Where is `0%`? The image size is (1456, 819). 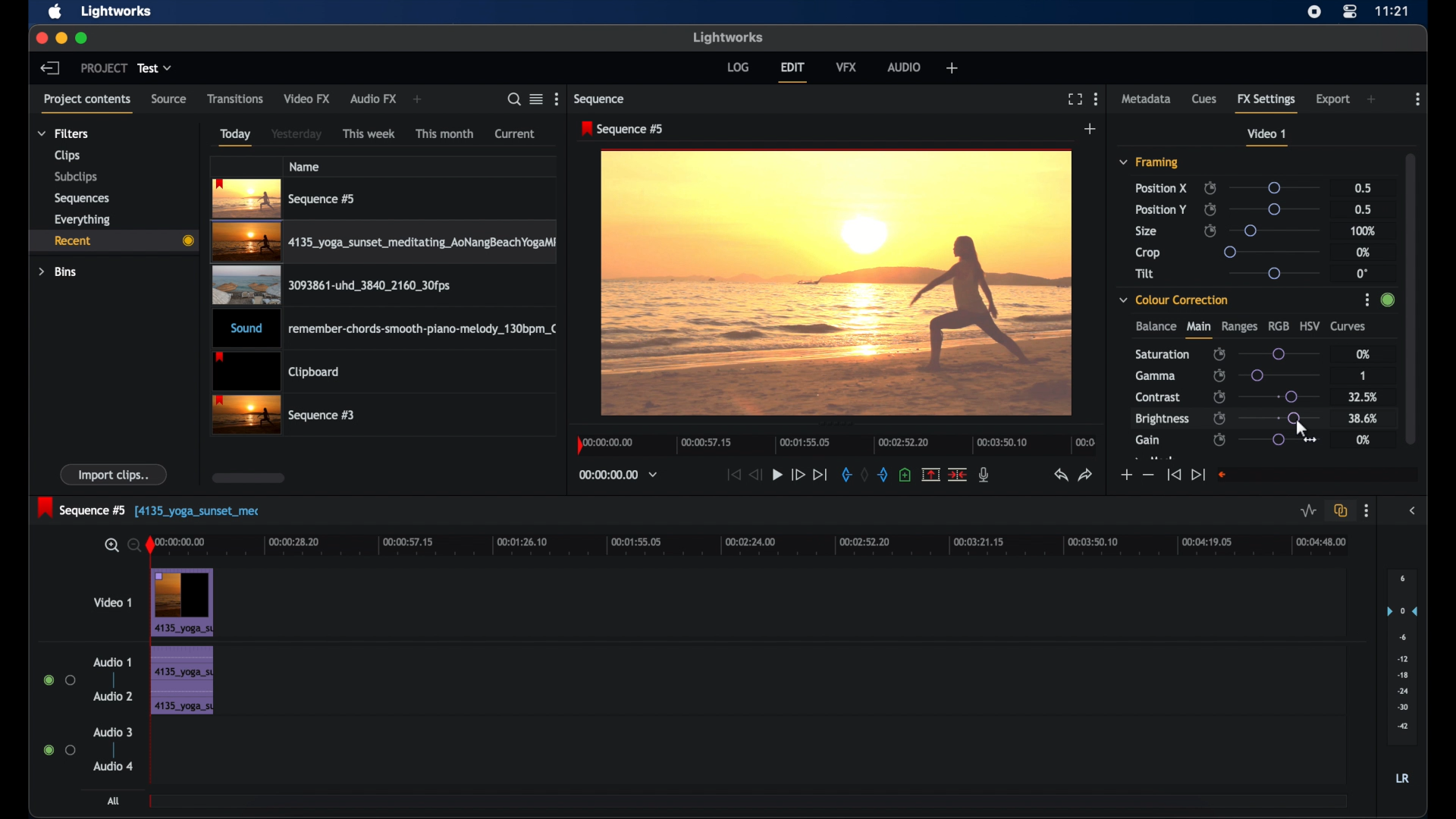
0% is located at coordinates (1360, 356).